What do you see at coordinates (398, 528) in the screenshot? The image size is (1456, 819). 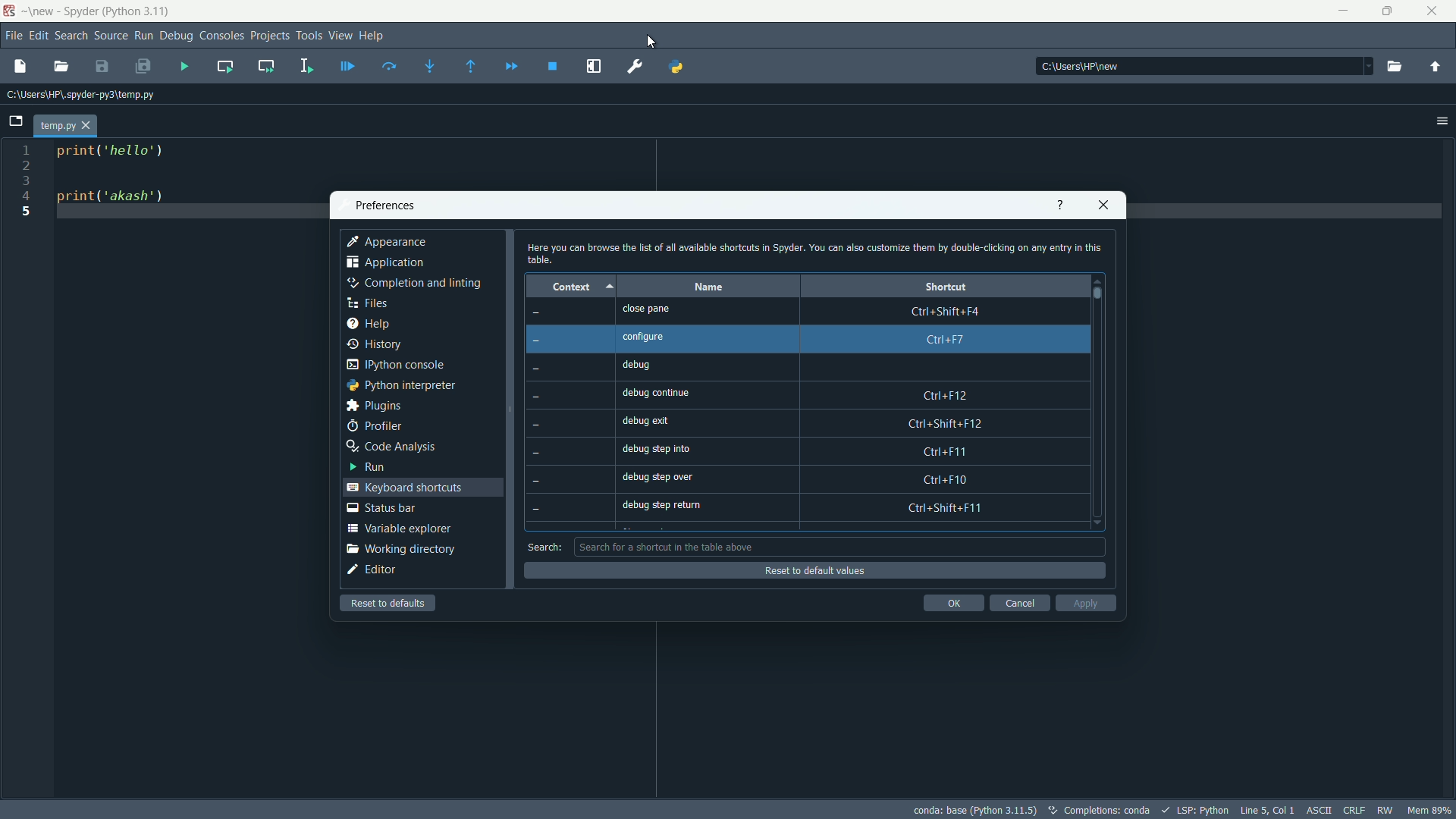 I see `variable explorer` at bounding box center [398, 528].